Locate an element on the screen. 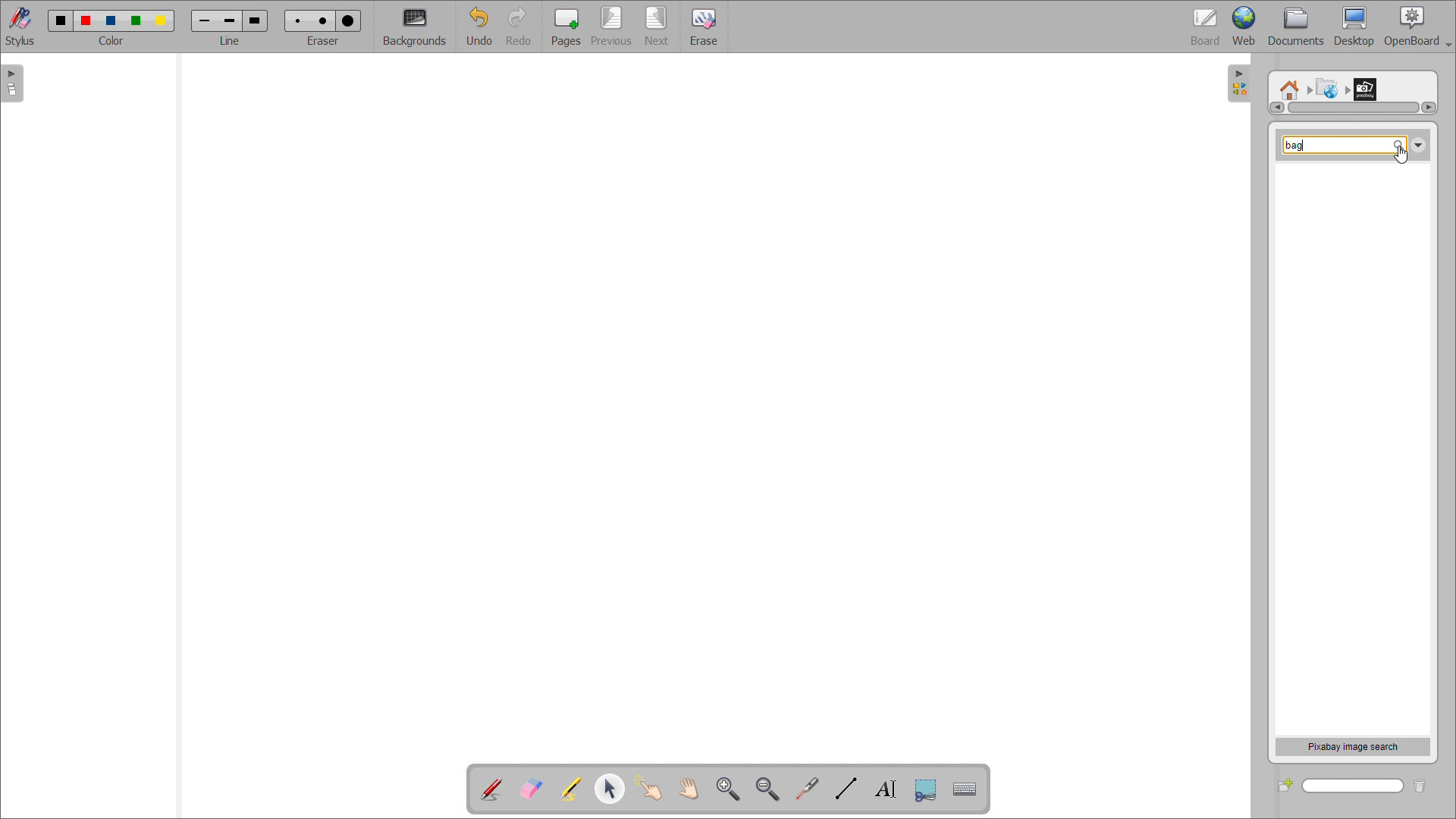  interact with items is located at coordinates (649, 788).